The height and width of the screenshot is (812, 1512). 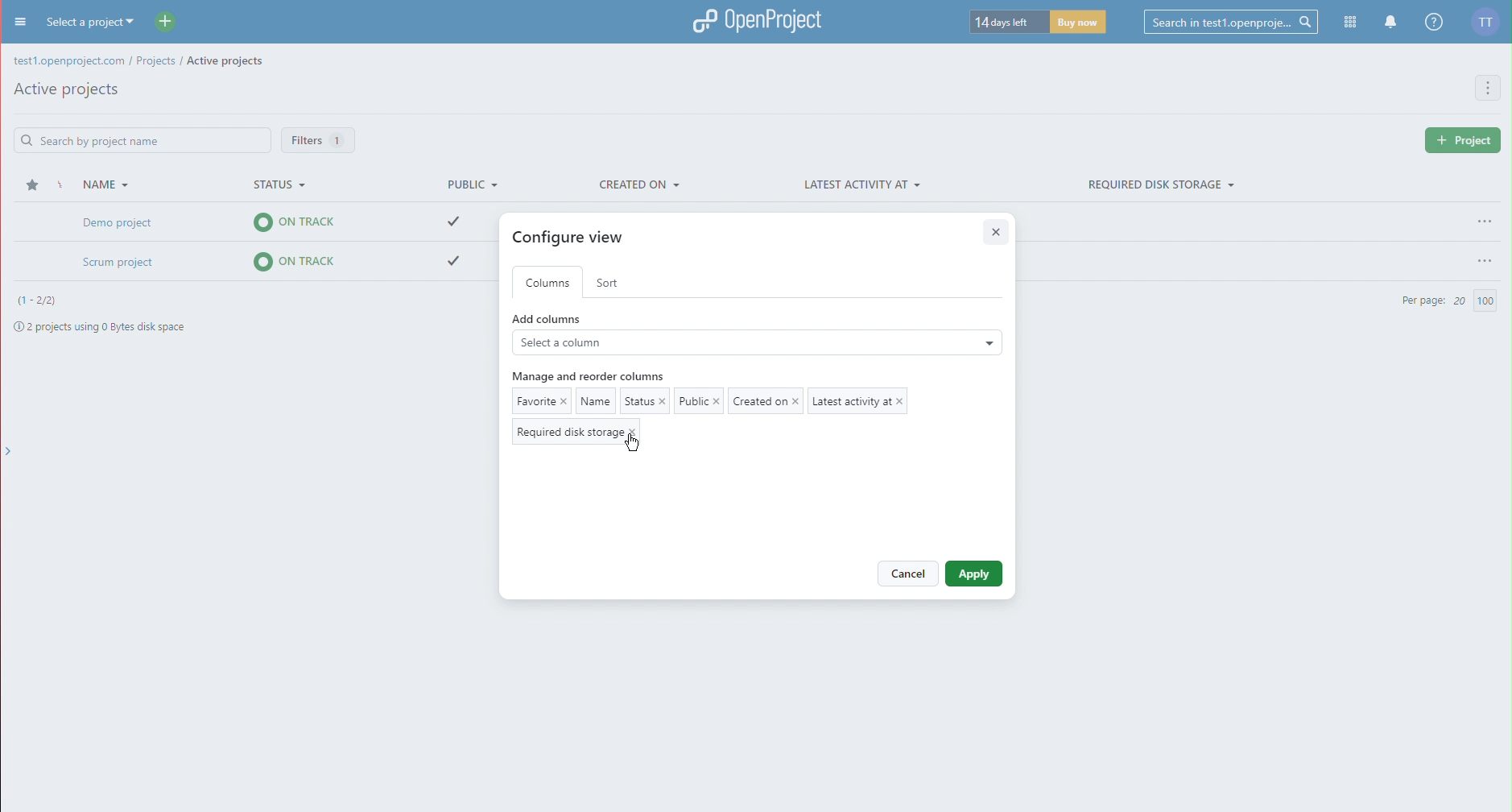 I want to click on Projects number, so click(x=40, y=300).